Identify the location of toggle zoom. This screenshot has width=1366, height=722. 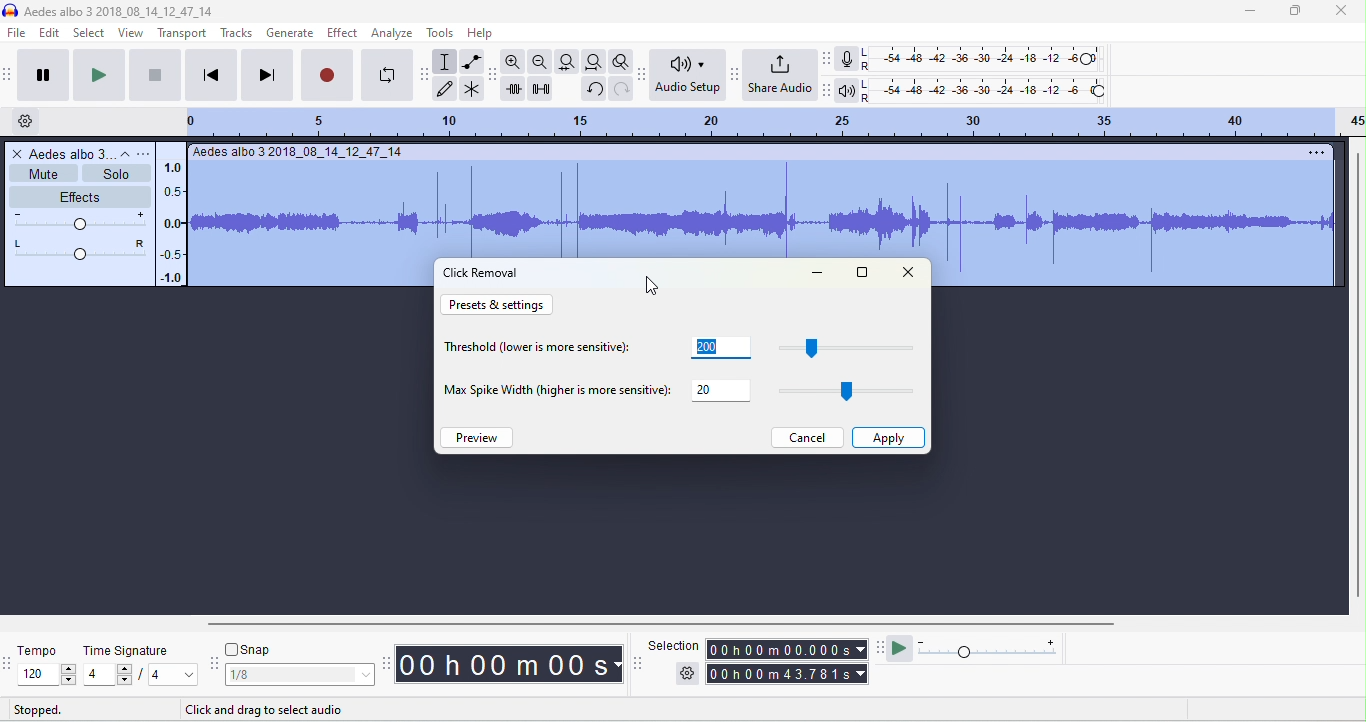
(621, 62).